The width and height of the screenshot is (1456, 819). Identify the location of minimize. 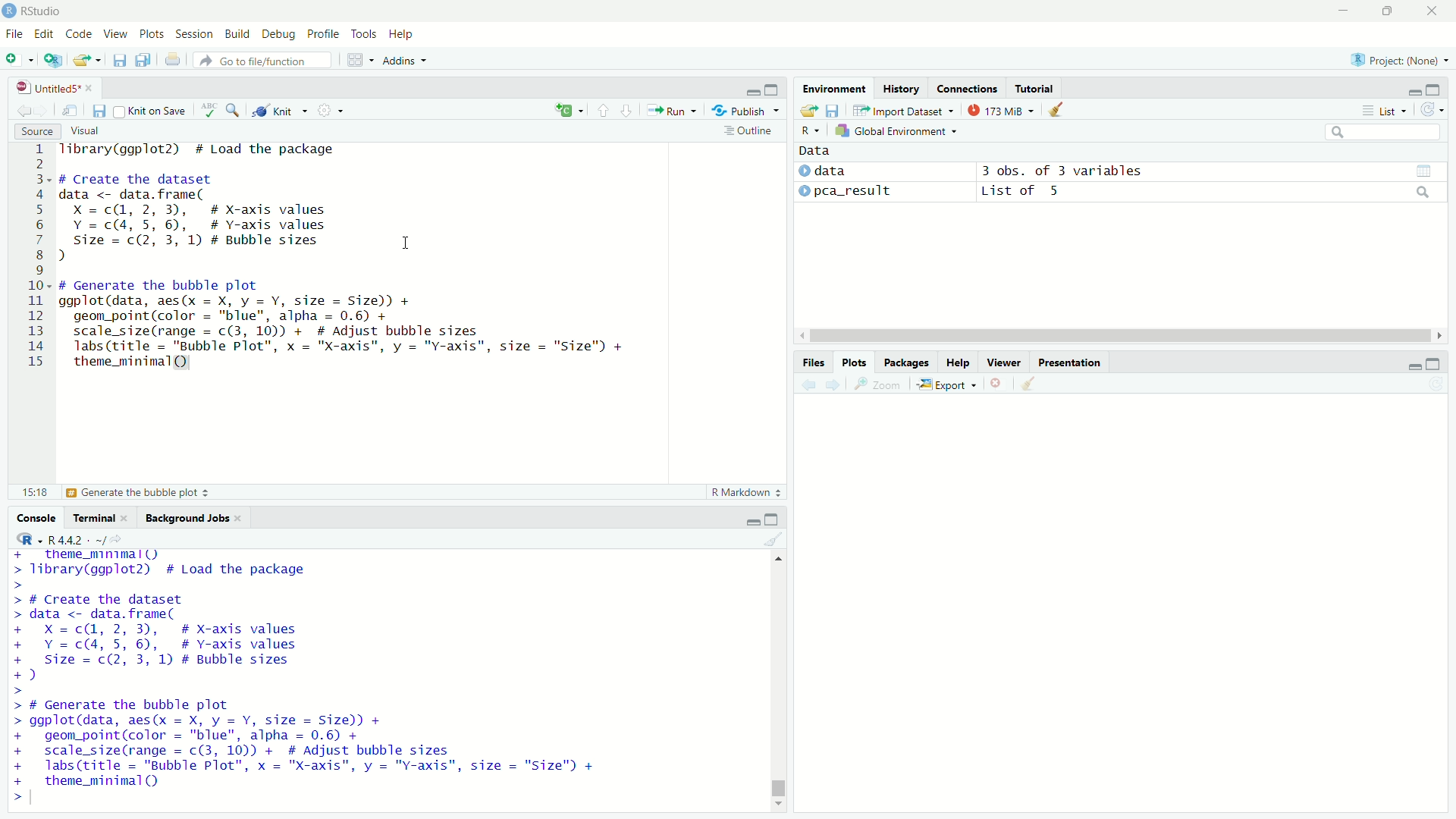
(752, 519).